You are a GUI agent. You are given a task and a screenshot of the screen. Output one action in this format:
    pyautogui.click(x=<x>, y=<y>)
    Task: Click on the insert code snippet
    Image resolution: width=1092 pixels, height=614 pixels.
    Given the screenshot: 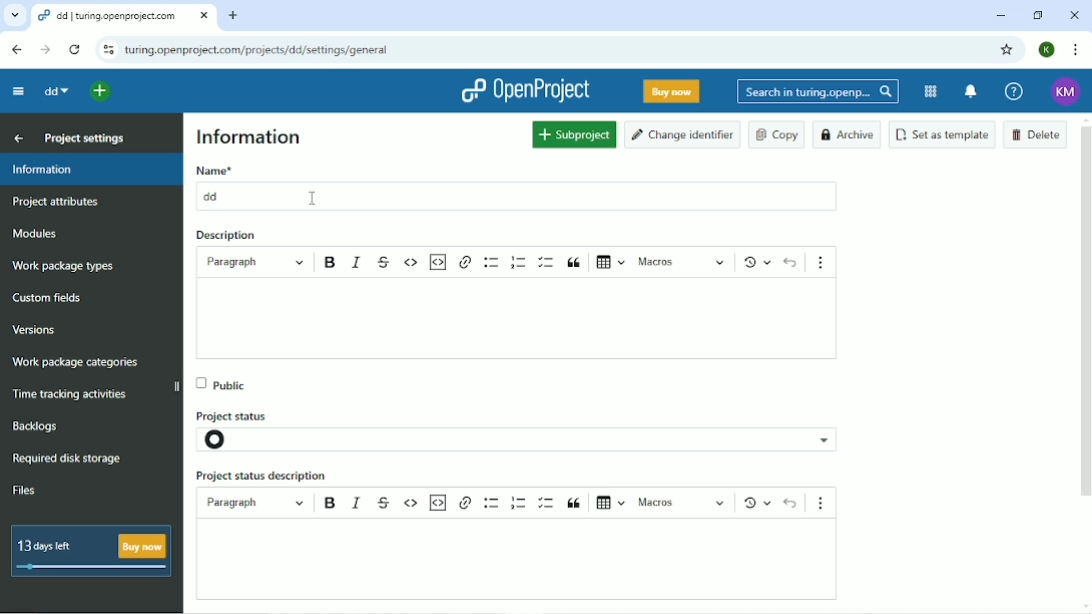 What is the action you would take?
    pyautogui.click(x=439, y=501)
    